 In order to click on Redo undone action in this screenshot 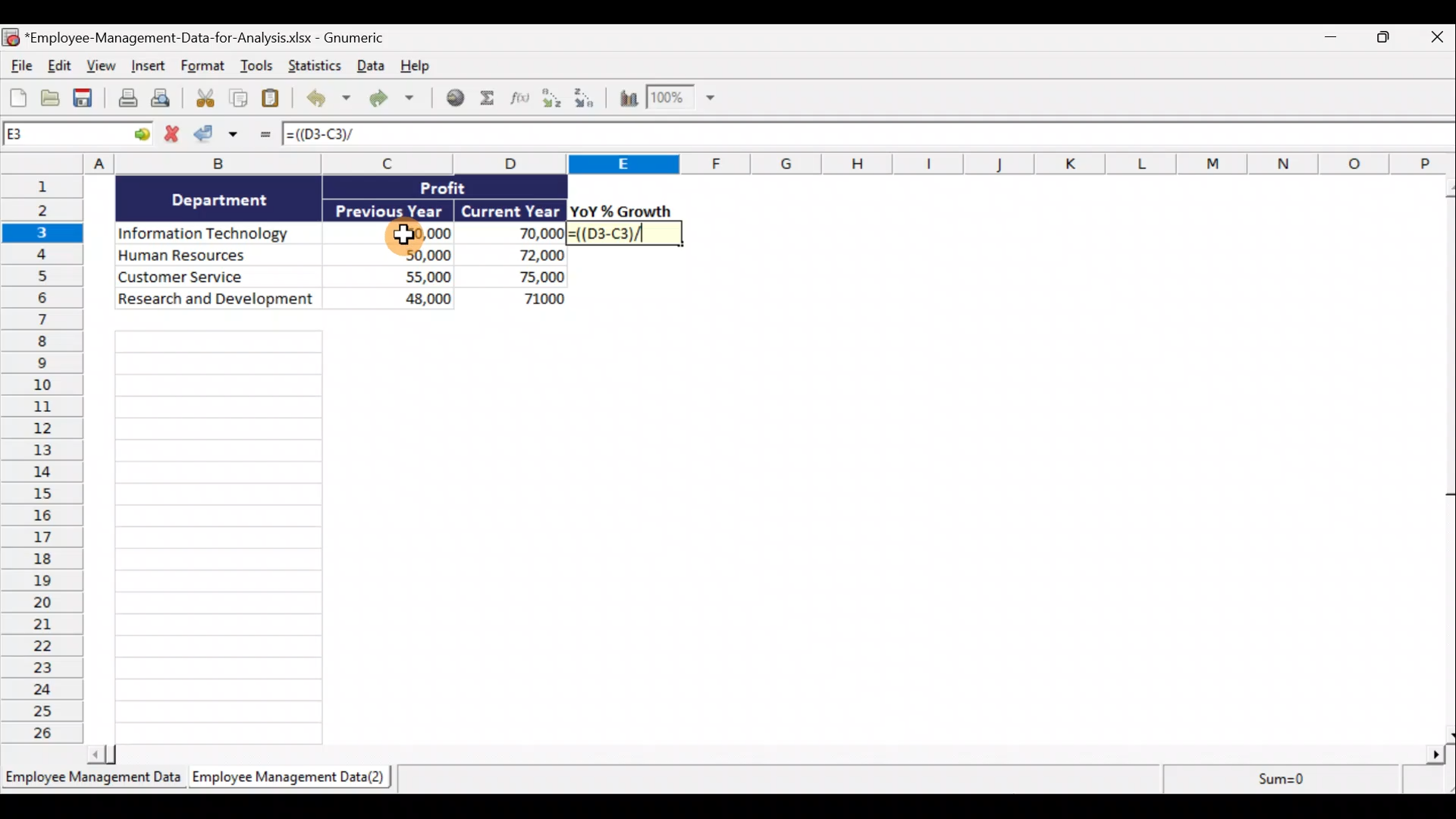, I will do `click(390, 99)`.